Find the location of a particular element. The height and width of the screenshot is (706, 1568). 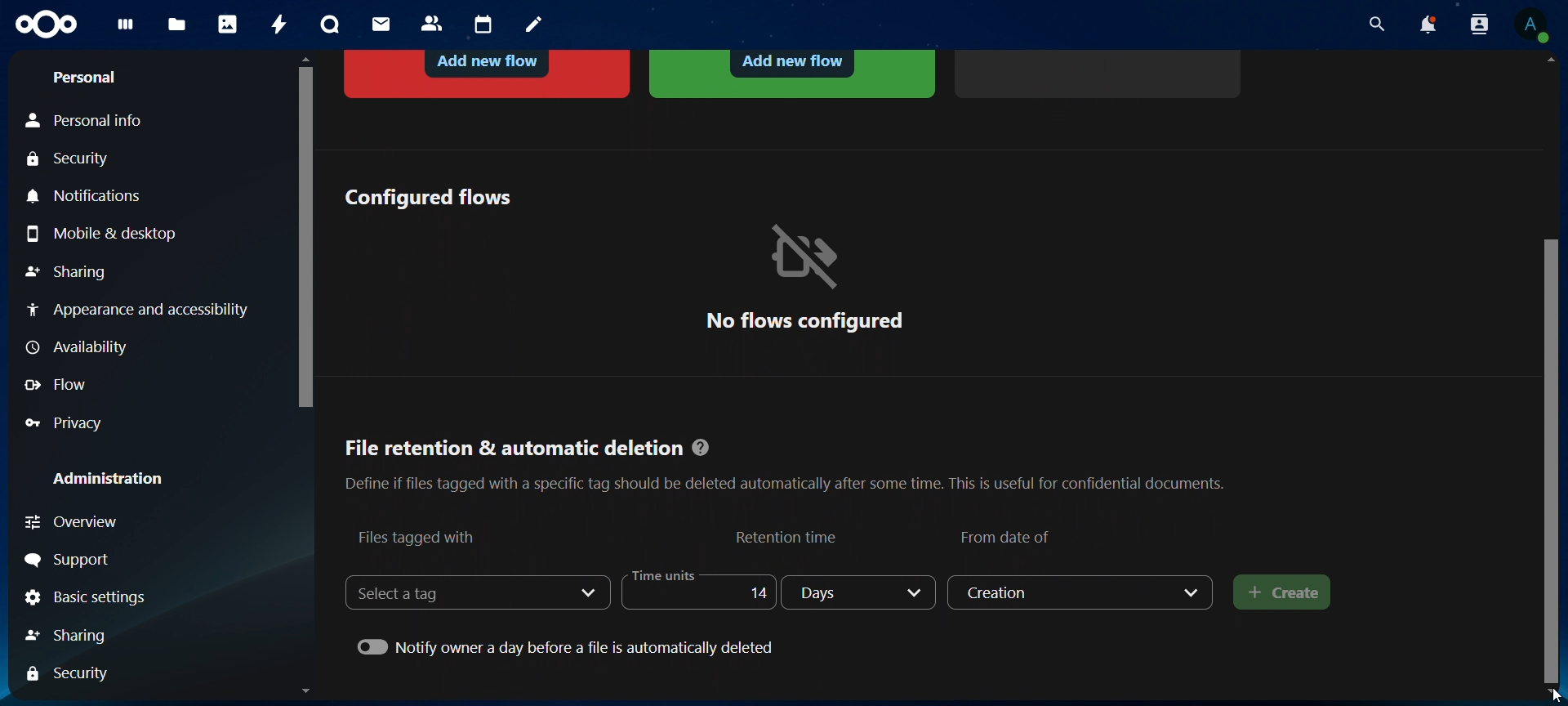

mail is located at coordinates (383, 24).